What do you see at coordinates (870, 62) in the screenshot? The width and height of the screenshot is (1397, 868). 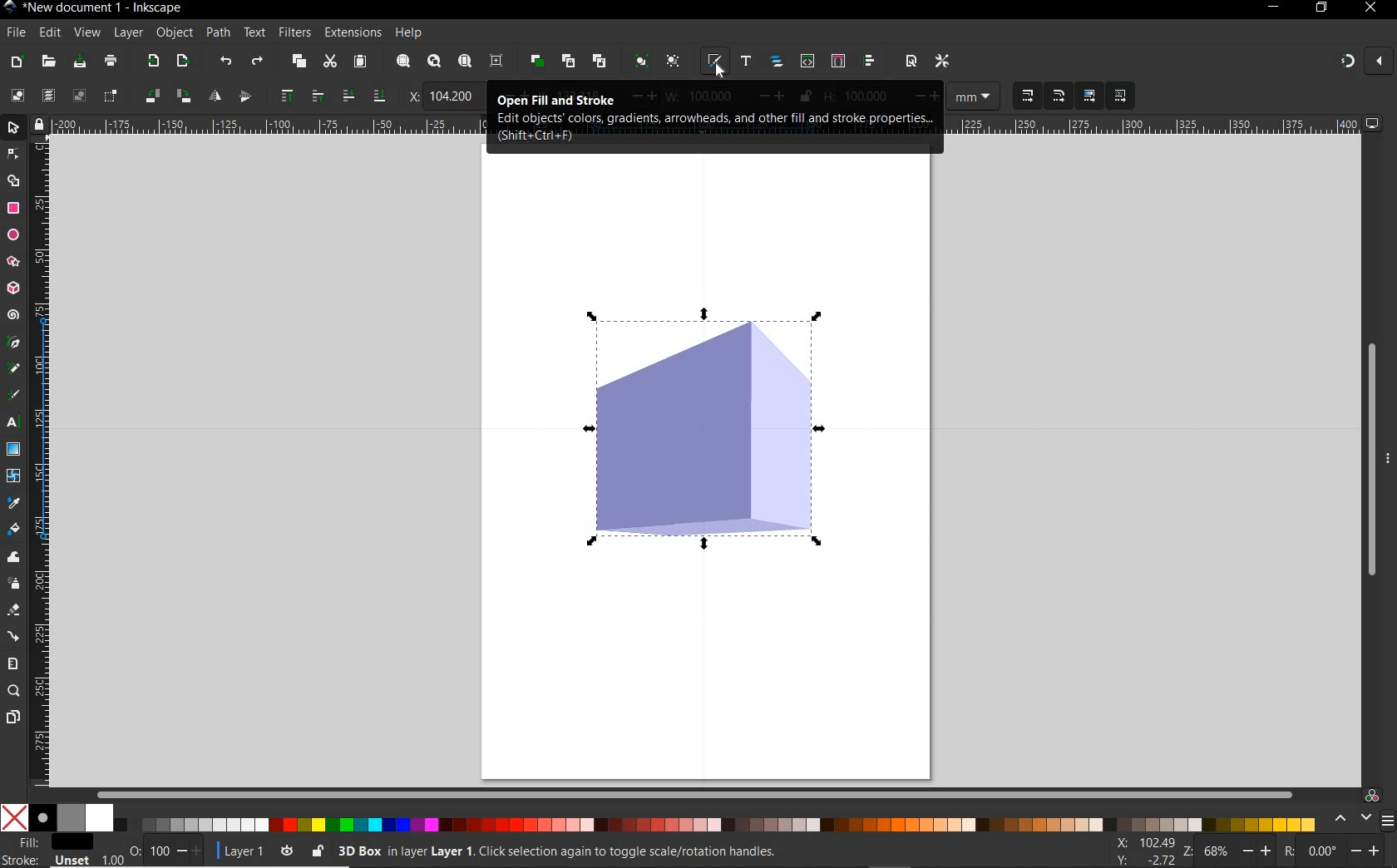 I see `OPEN ALIGN AND DISTRIBUTE` at bounding box center [870, 62].